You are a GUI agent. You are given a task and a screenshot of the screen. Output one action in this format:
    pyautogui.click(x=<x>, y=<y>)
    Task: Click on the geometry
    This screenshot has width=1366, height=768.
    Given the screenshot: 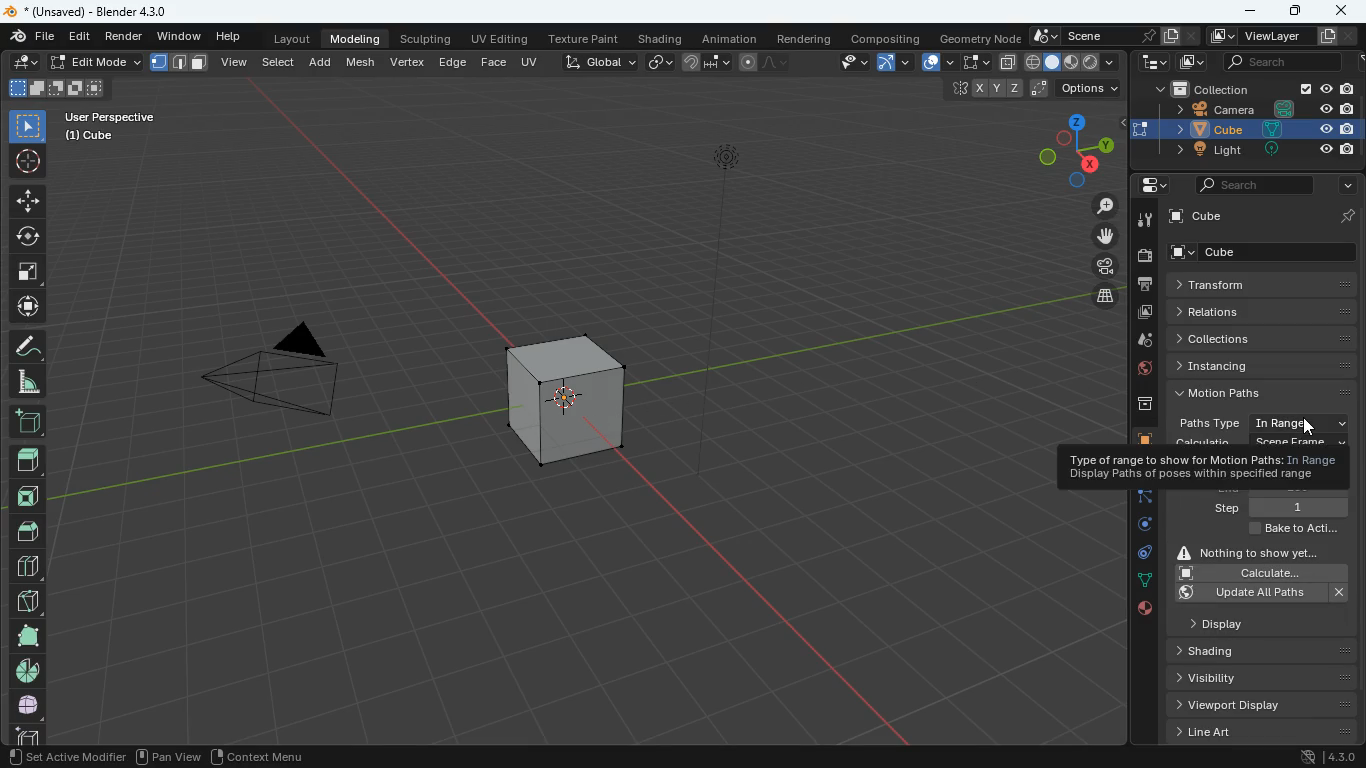 What is the action you would take?
    pyautogui.click(x=980, y=38)
    